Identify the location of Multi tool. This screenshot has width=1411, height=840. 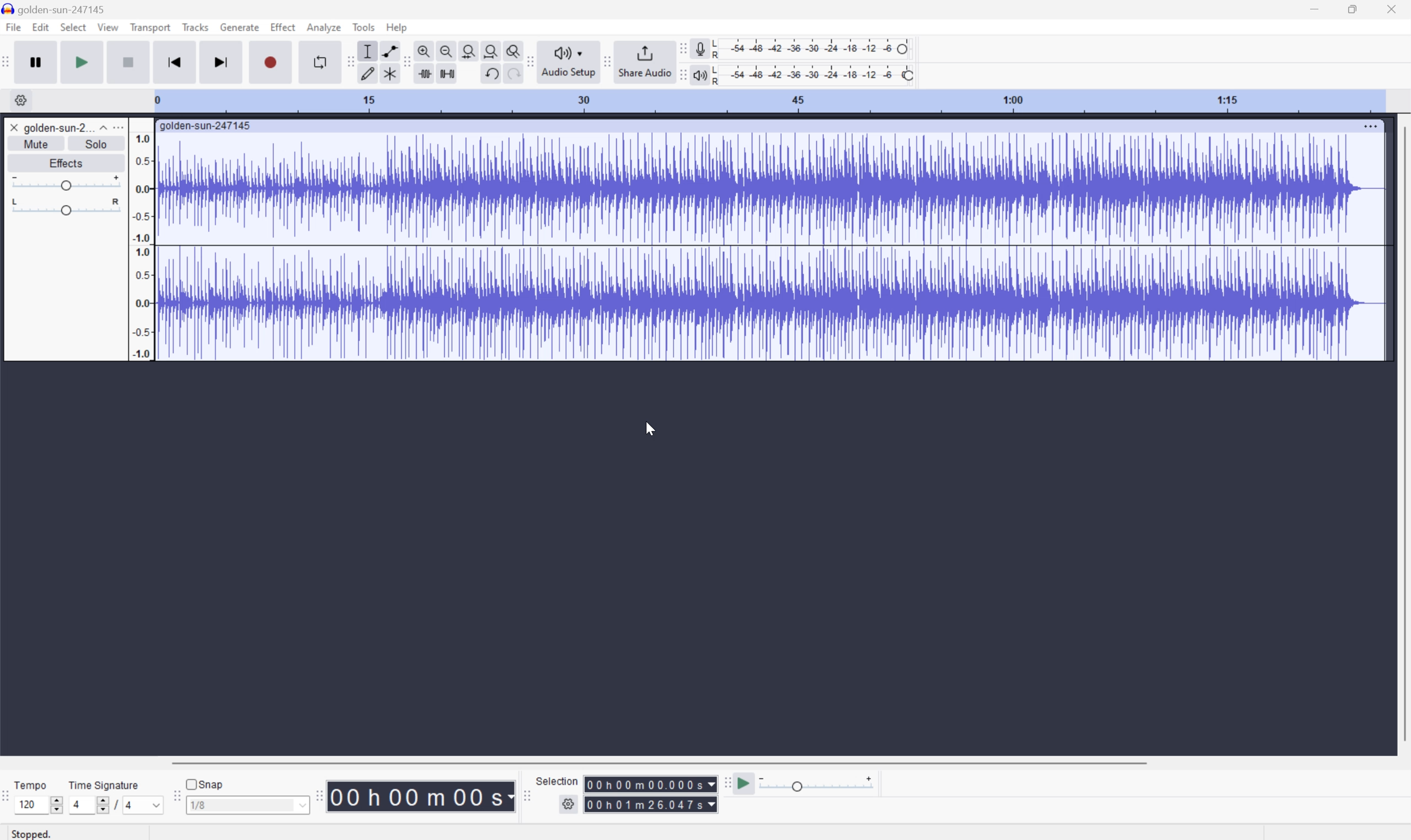
(387, 76).